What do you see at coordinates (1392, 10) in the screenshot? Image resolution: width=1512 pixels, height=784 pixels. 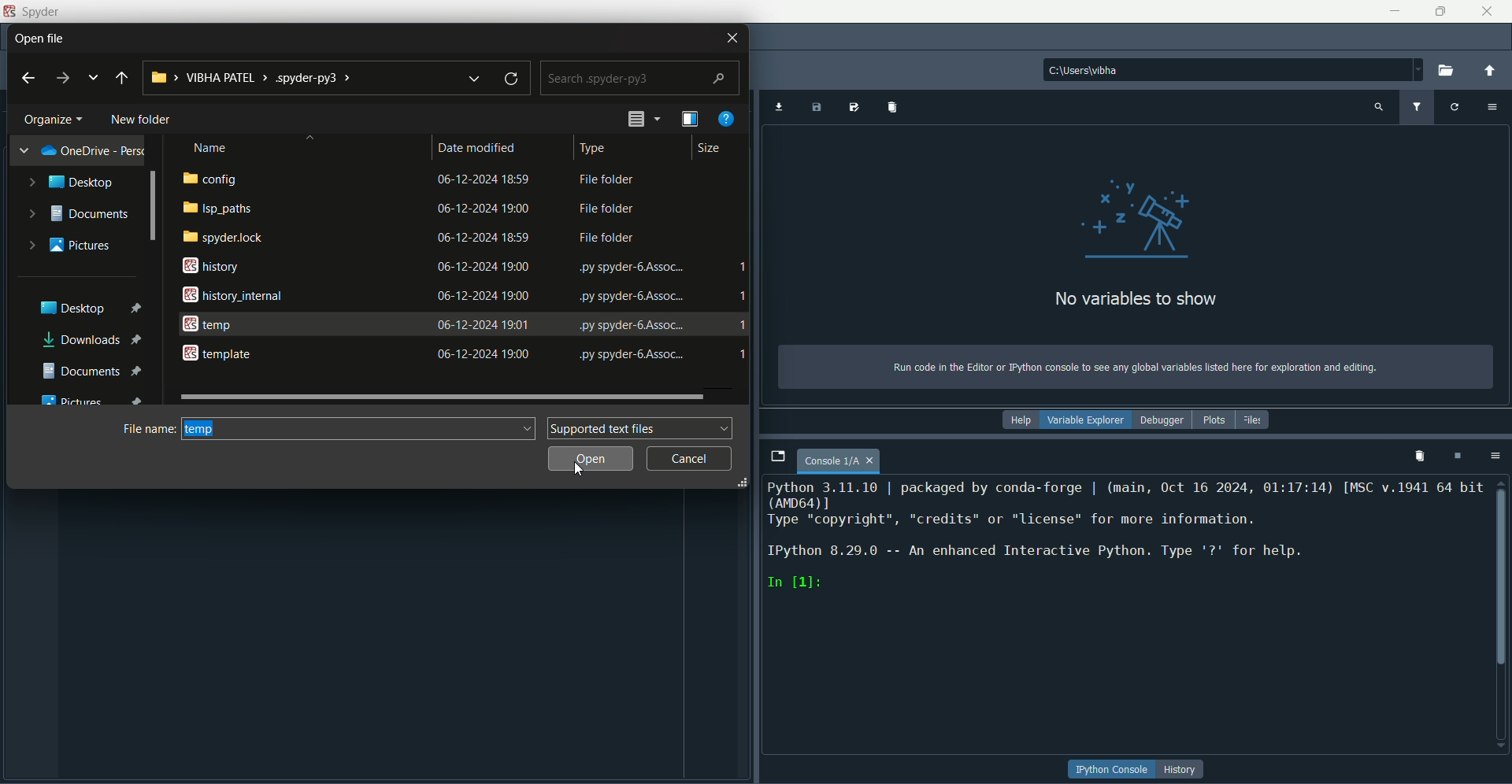 I see `minimize` at bounding box center [1392, 10].